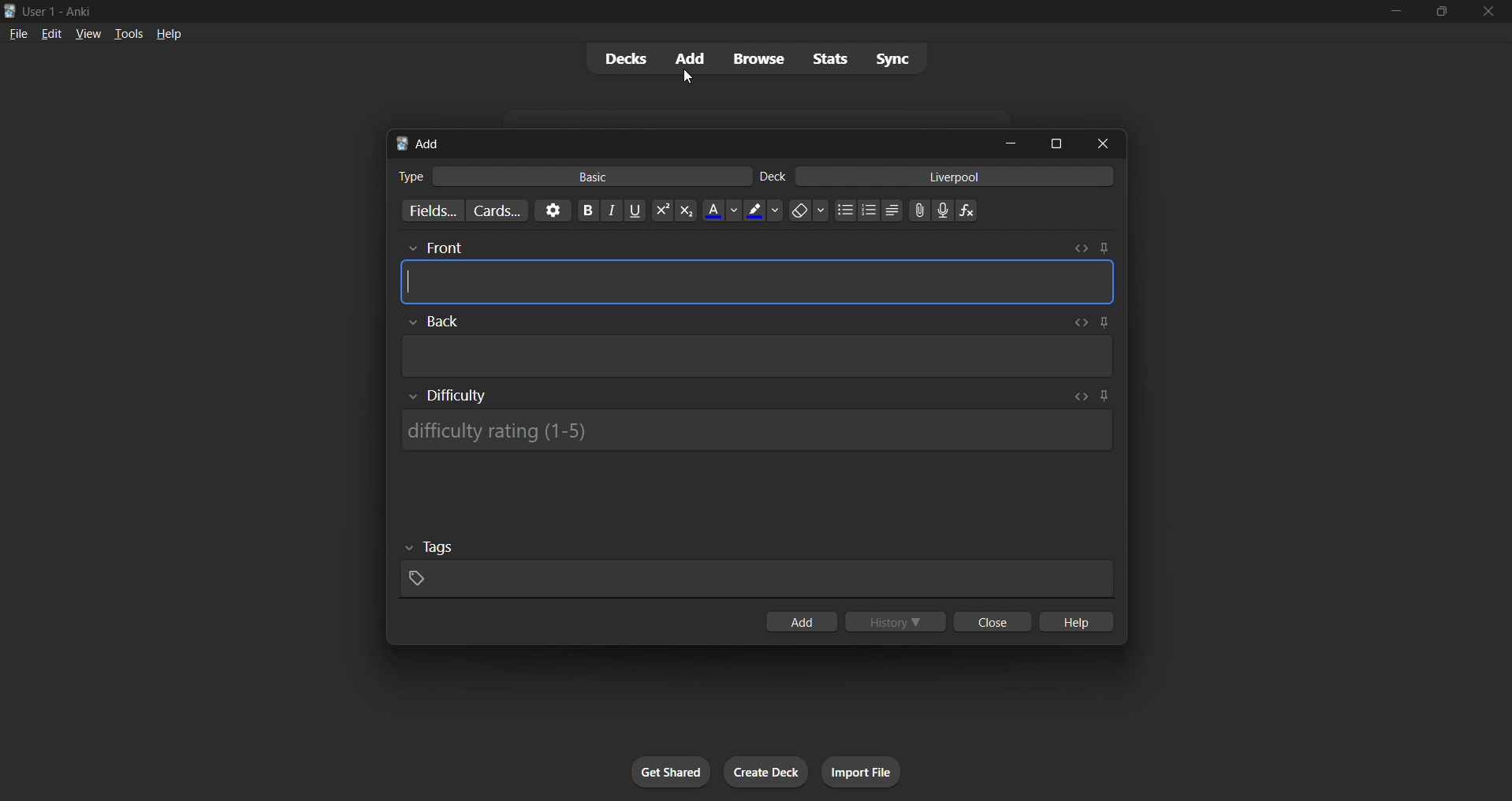  Describe the element at coordinates (755, 270) in the screenshot. I see `card front input box` at that location.